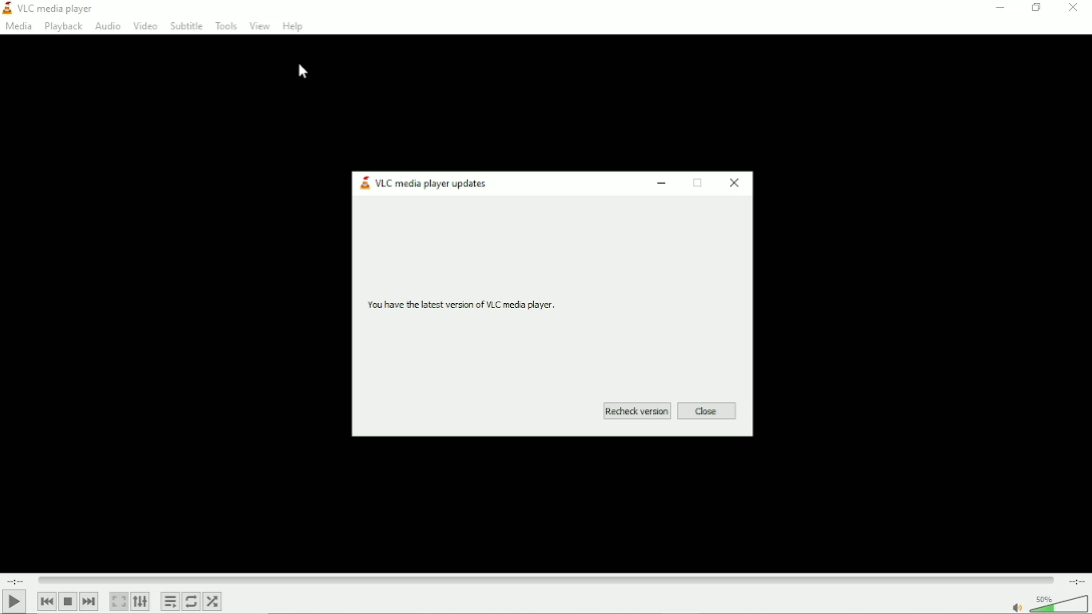 The height and width of the screenshot is (614, 1092). I want to click on Restore down, so click(1039, 9).